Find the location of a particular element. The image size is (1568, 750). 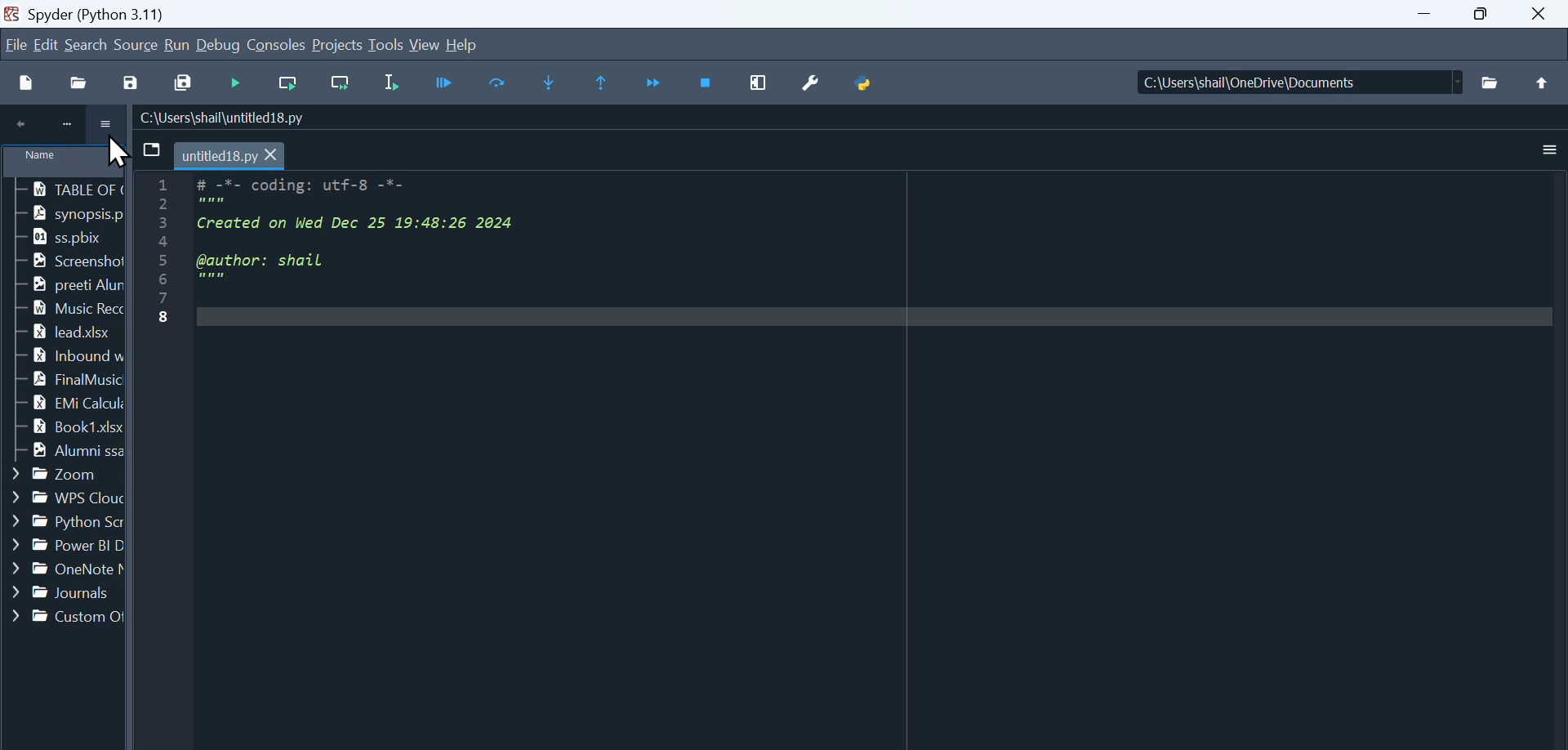

minimise is located at coordinates (1429, 15).